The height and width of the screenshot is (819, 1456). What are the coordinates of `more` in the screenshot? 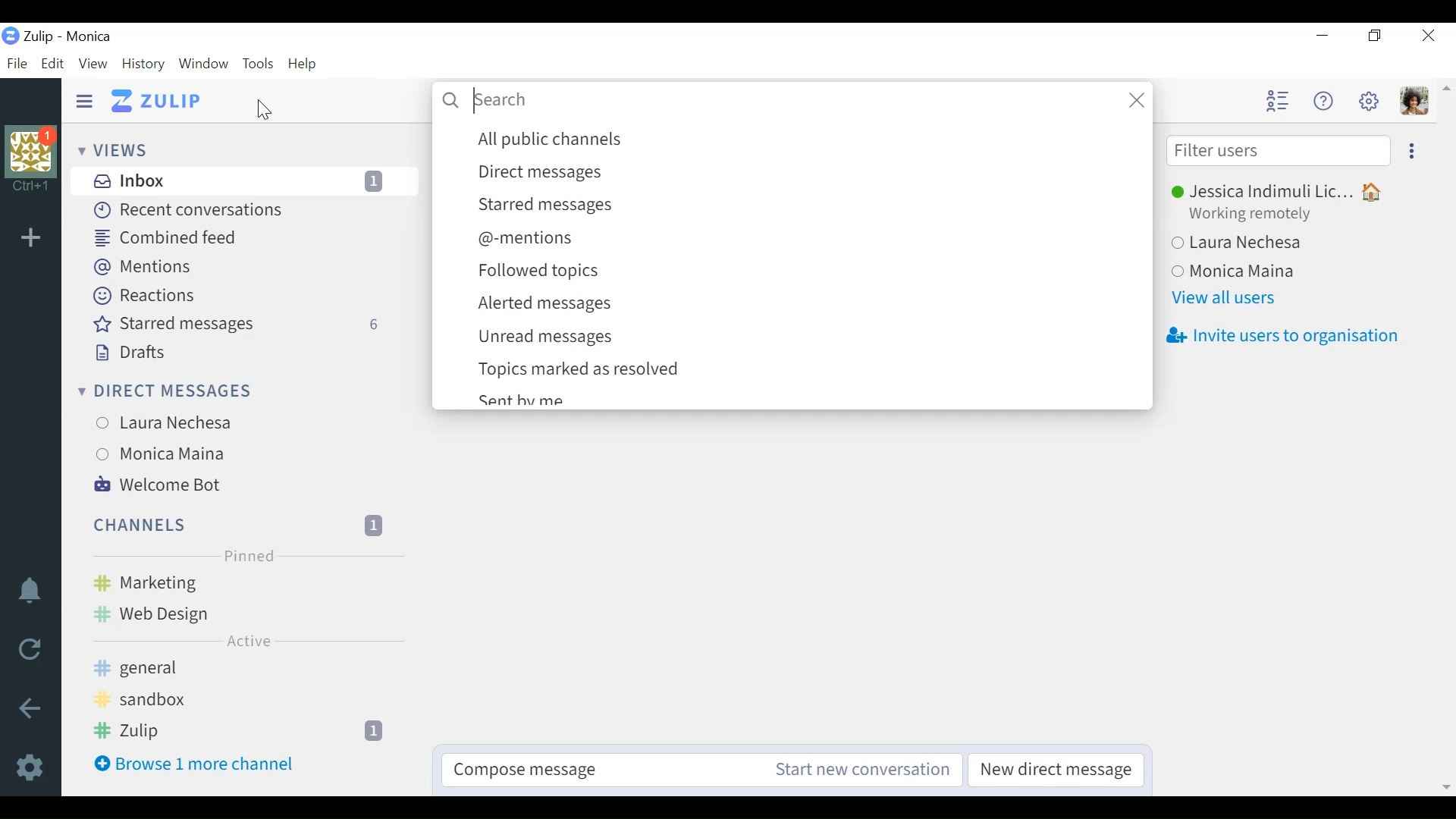 It's located at (1416, 152).